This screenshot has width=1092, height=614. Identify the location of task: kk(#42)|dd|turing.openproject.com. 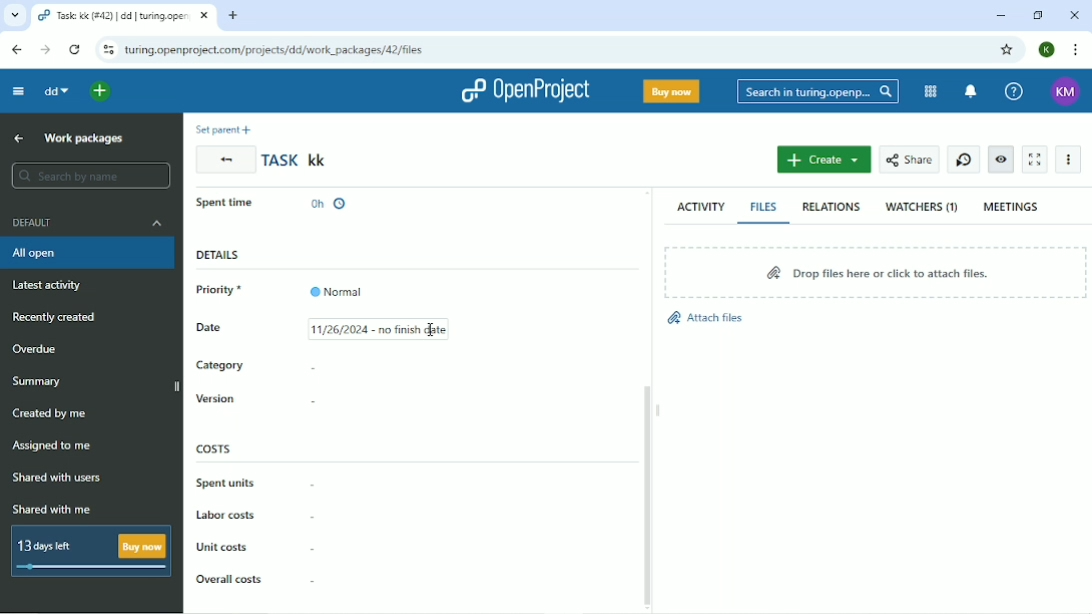
(124, 16).